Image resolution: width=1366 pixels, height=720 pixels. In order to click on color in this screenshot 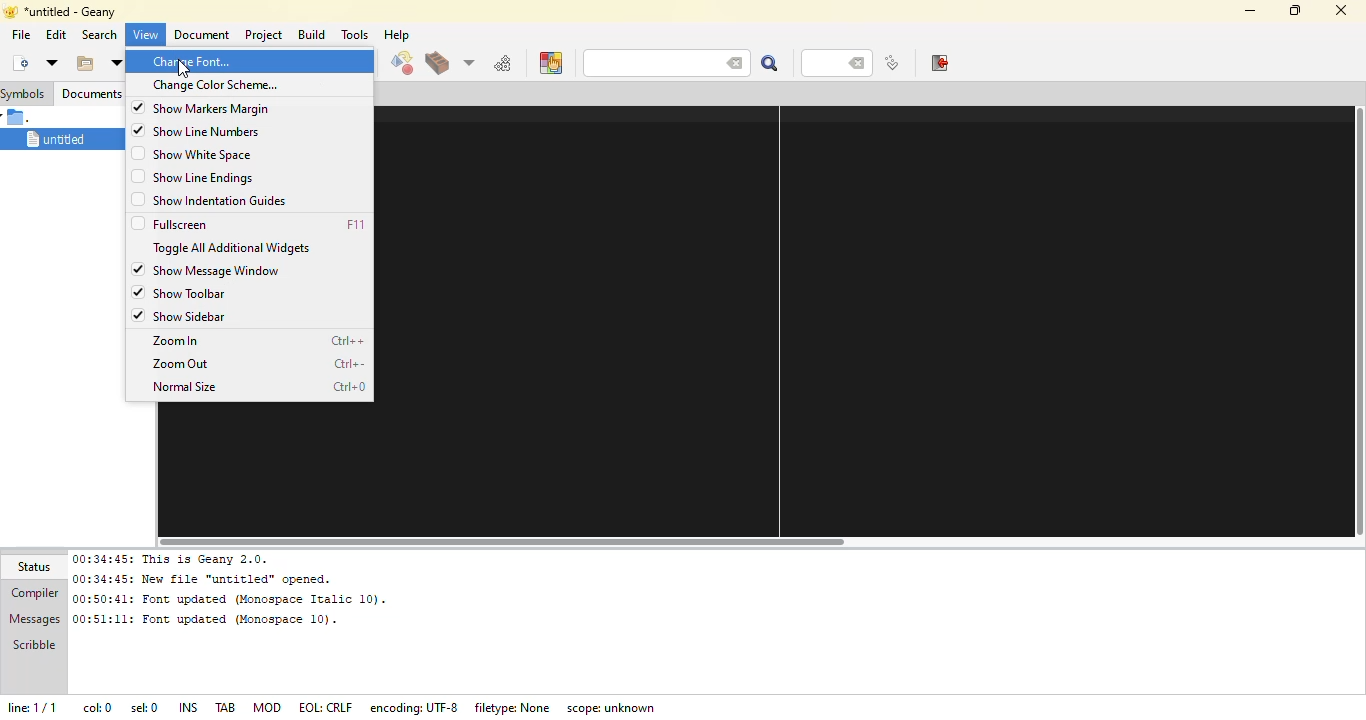, I will do `click(550, 63)`.